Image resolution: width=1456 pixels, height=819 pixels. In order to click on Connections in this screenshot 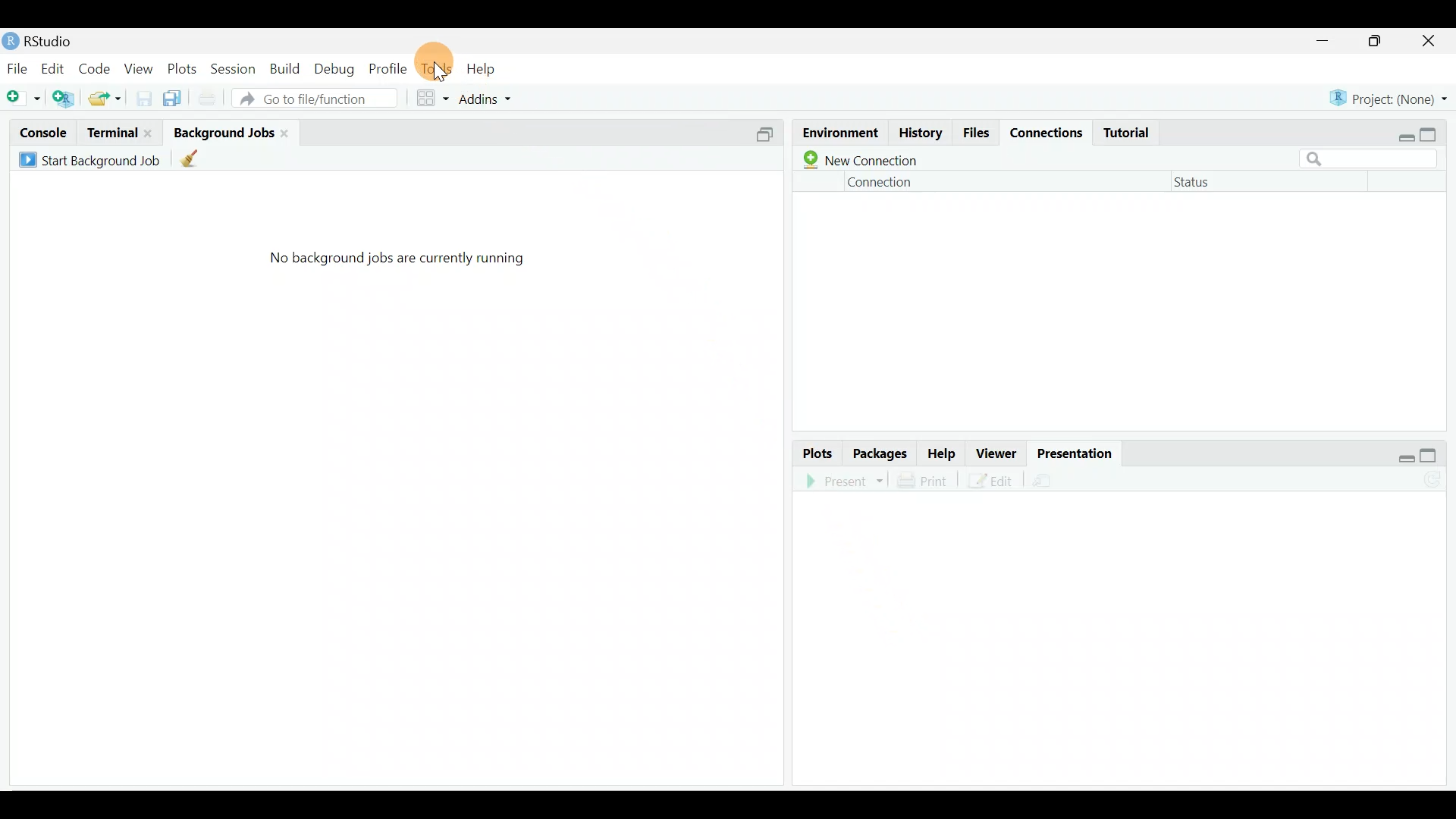, I will do `click(1047, 133)`.